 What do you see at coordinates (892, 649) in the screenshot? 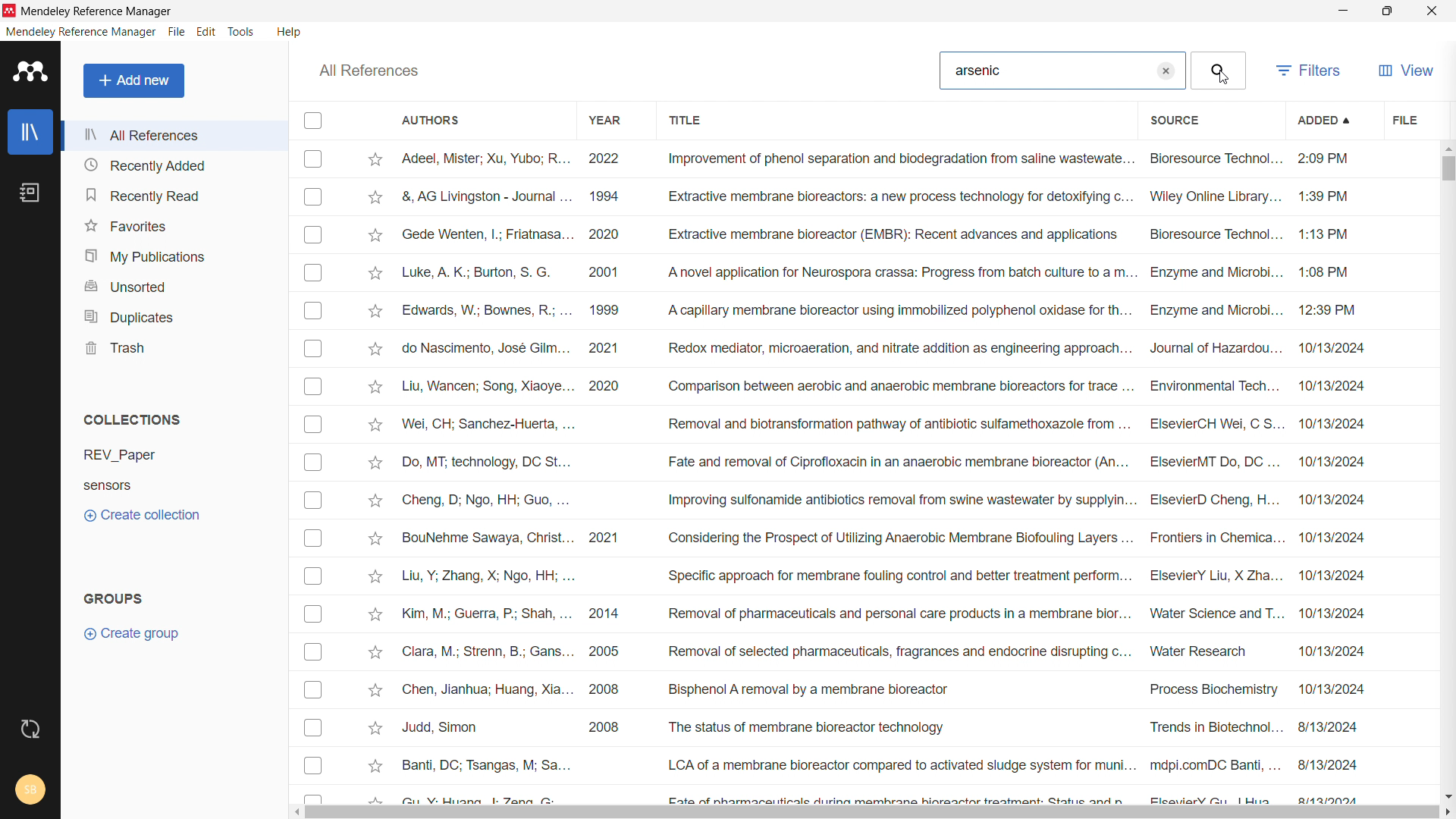
I see `Clara, M.; Strenn, B.; Gans... 2005 Removal of selected pharmaceuticals, fragrances and endocrine disrupting c... Water Research 10/13/2024` at bounding box center [892, 649].